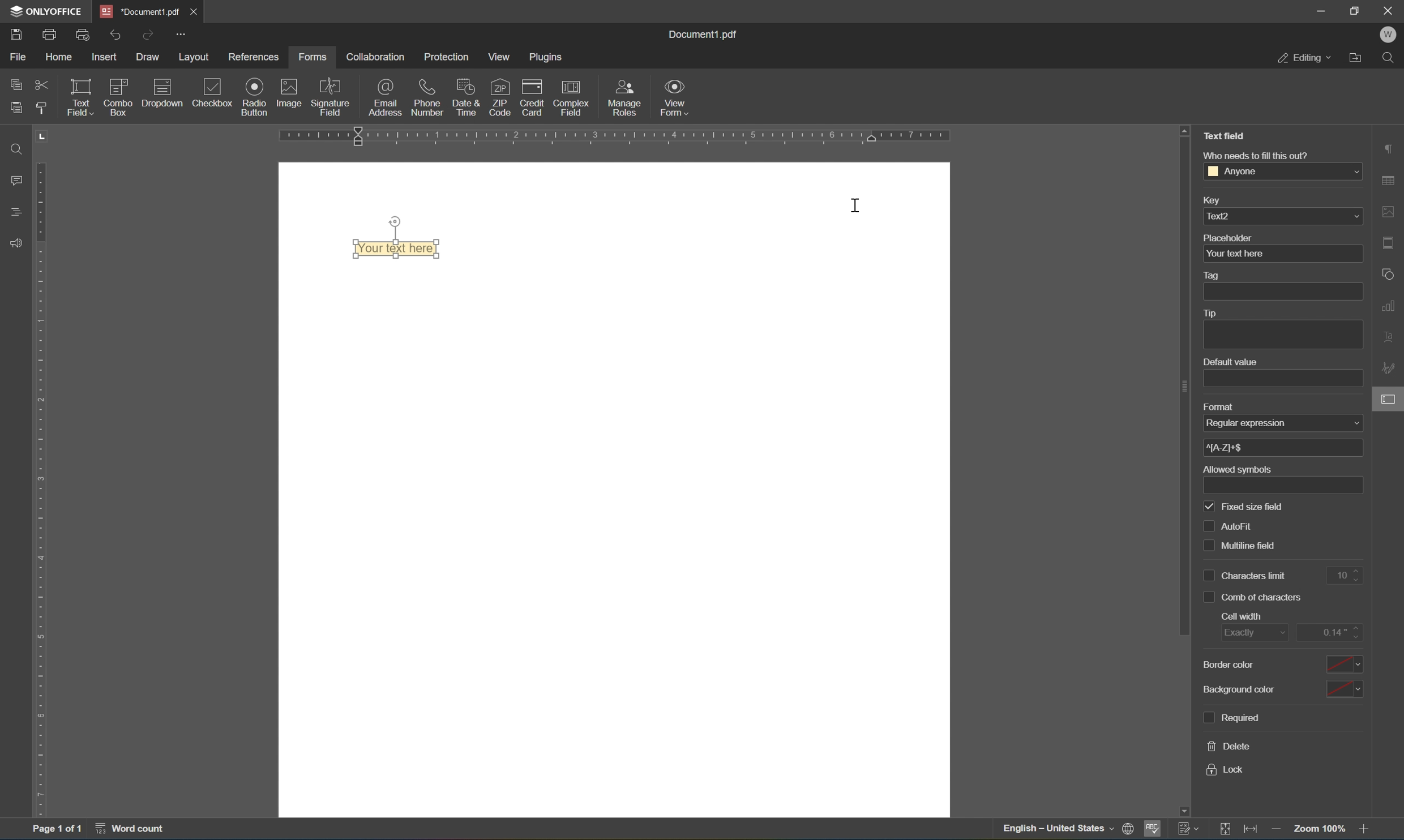 The width and height of the screenshot is (1404, 840). I want to click on redo, so click(148, 35).